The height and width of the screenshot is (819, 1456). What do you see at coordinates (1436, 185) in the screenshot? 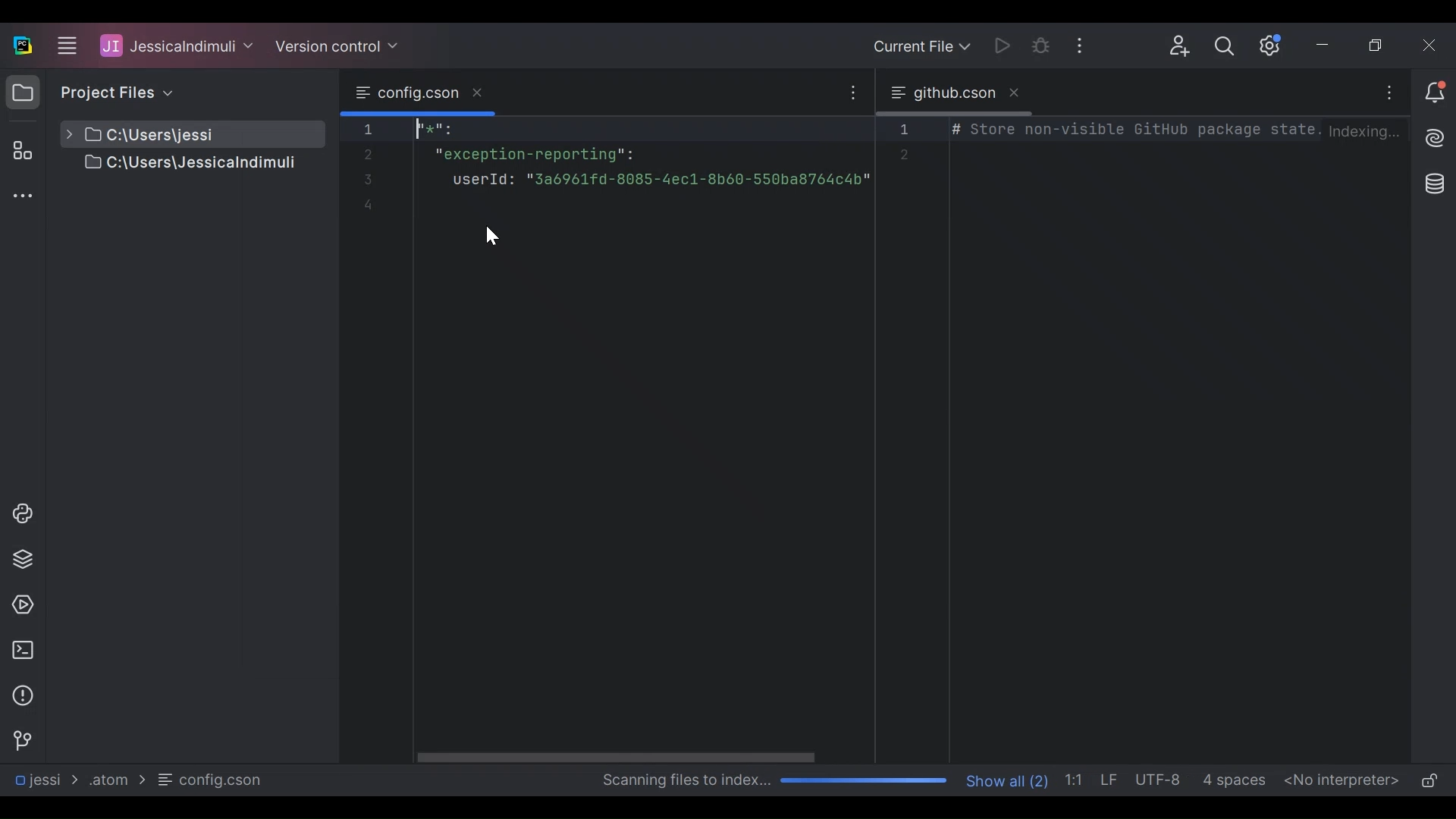
I see `Database` at bounding box center [1436, 185].